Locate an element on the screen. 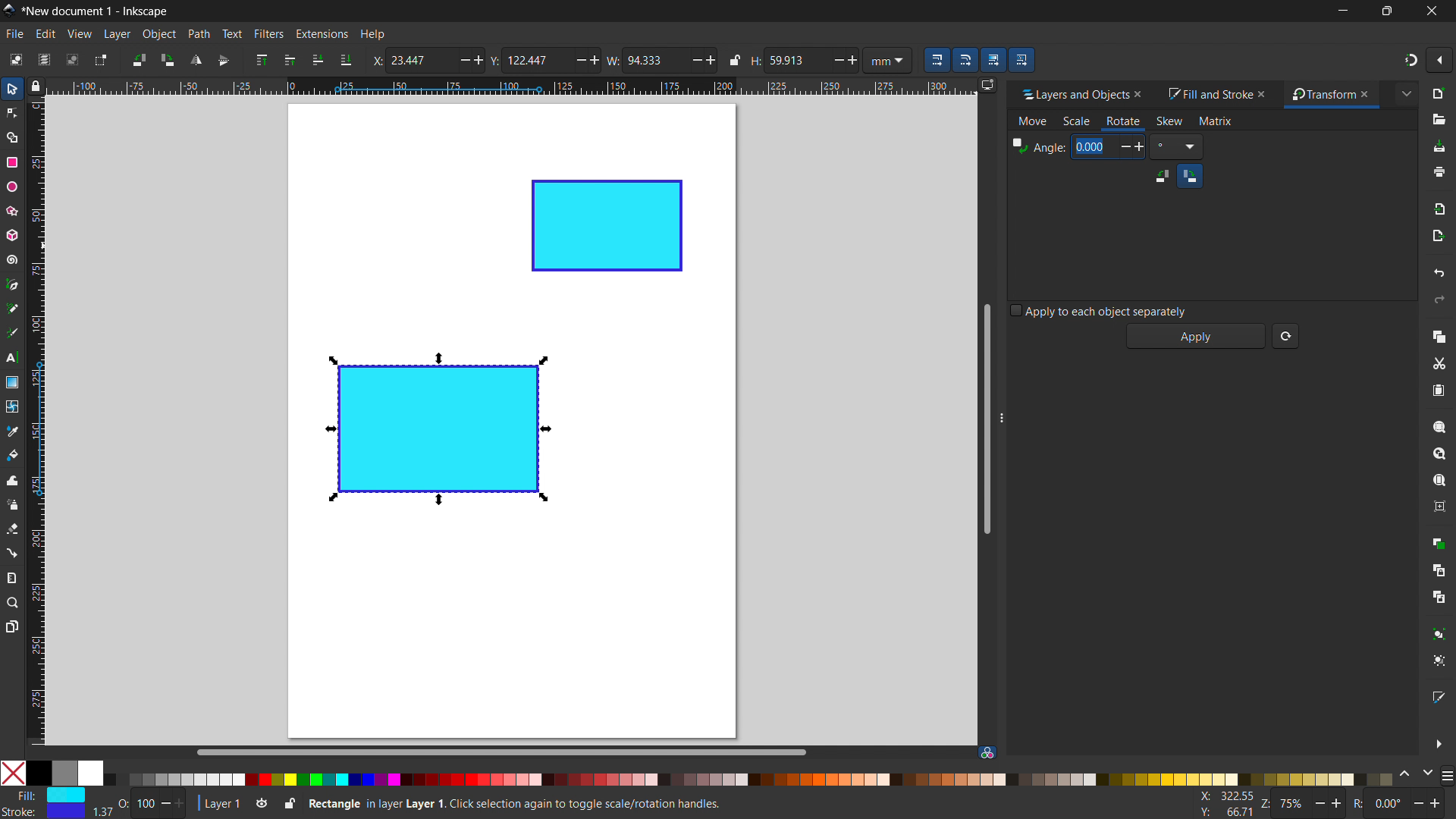  text is located at coordinates (231, 33).